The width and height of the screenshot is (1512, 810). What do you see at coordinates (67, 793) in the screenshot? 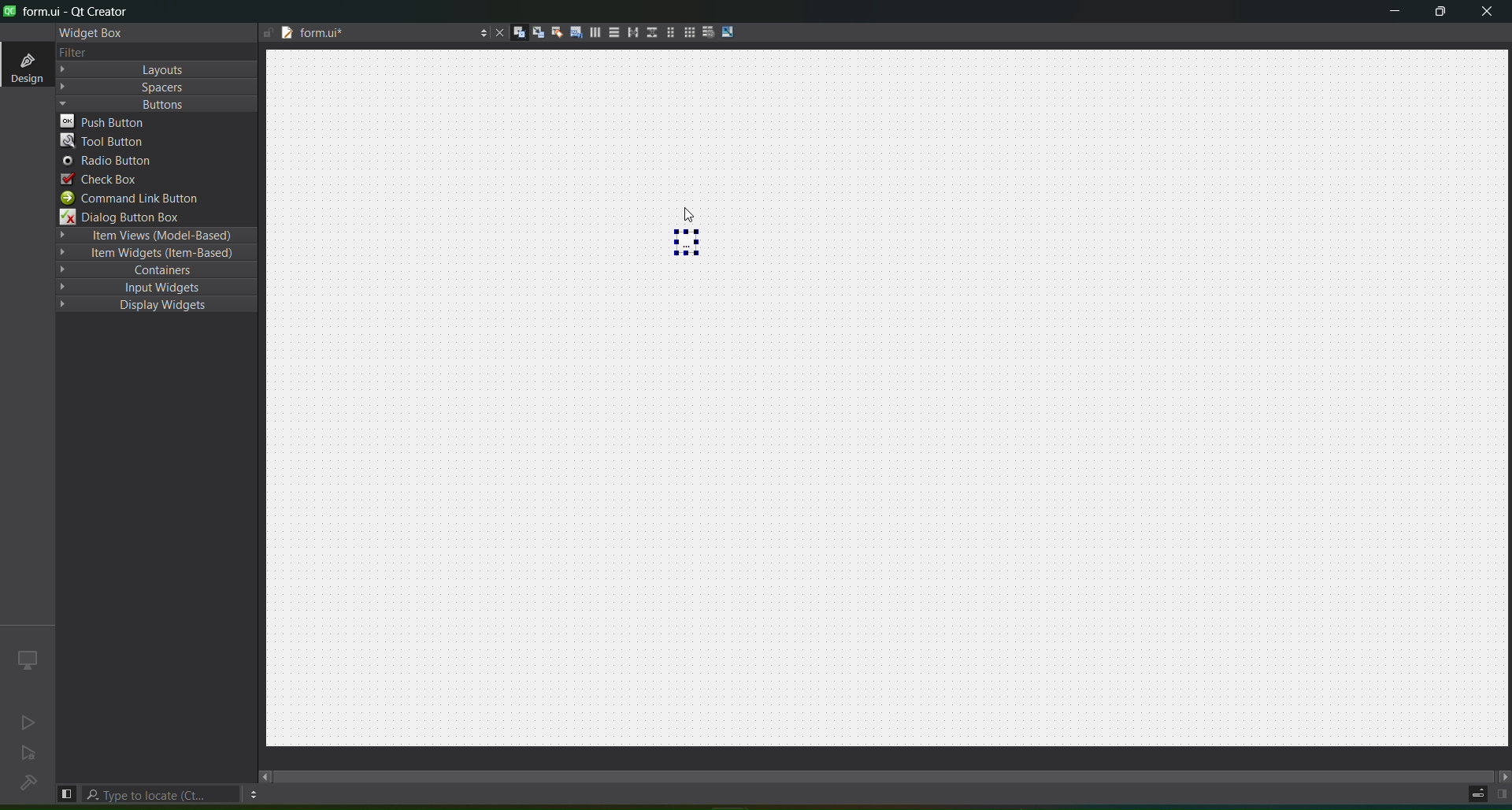
I see `hide left sidebar` at bounding box center [67, 793].